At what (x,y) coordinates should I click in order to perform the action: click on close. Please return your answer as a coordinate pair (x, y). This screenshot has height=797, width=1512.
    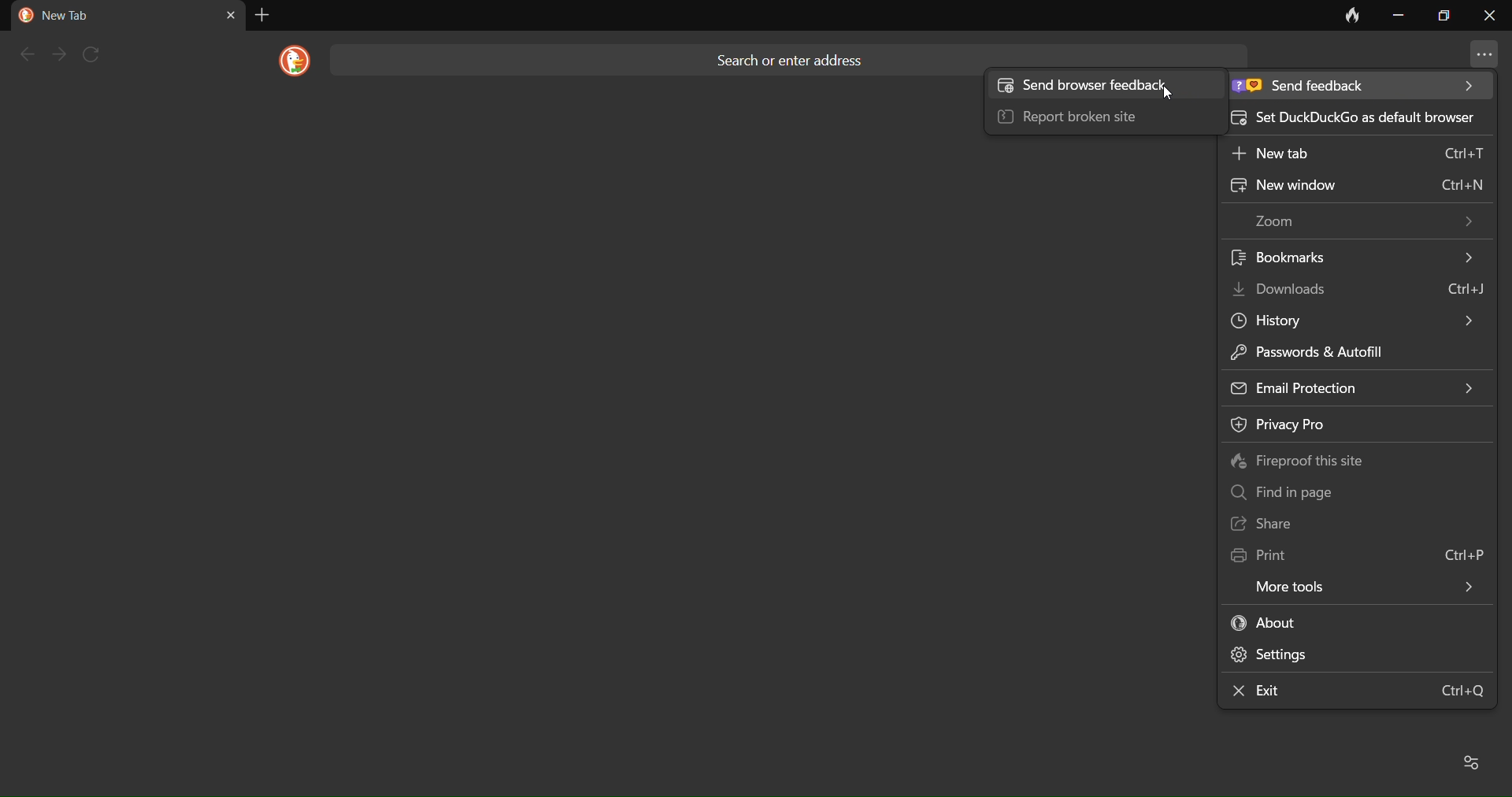
    Looking at the image, I should click on (1489, 20).